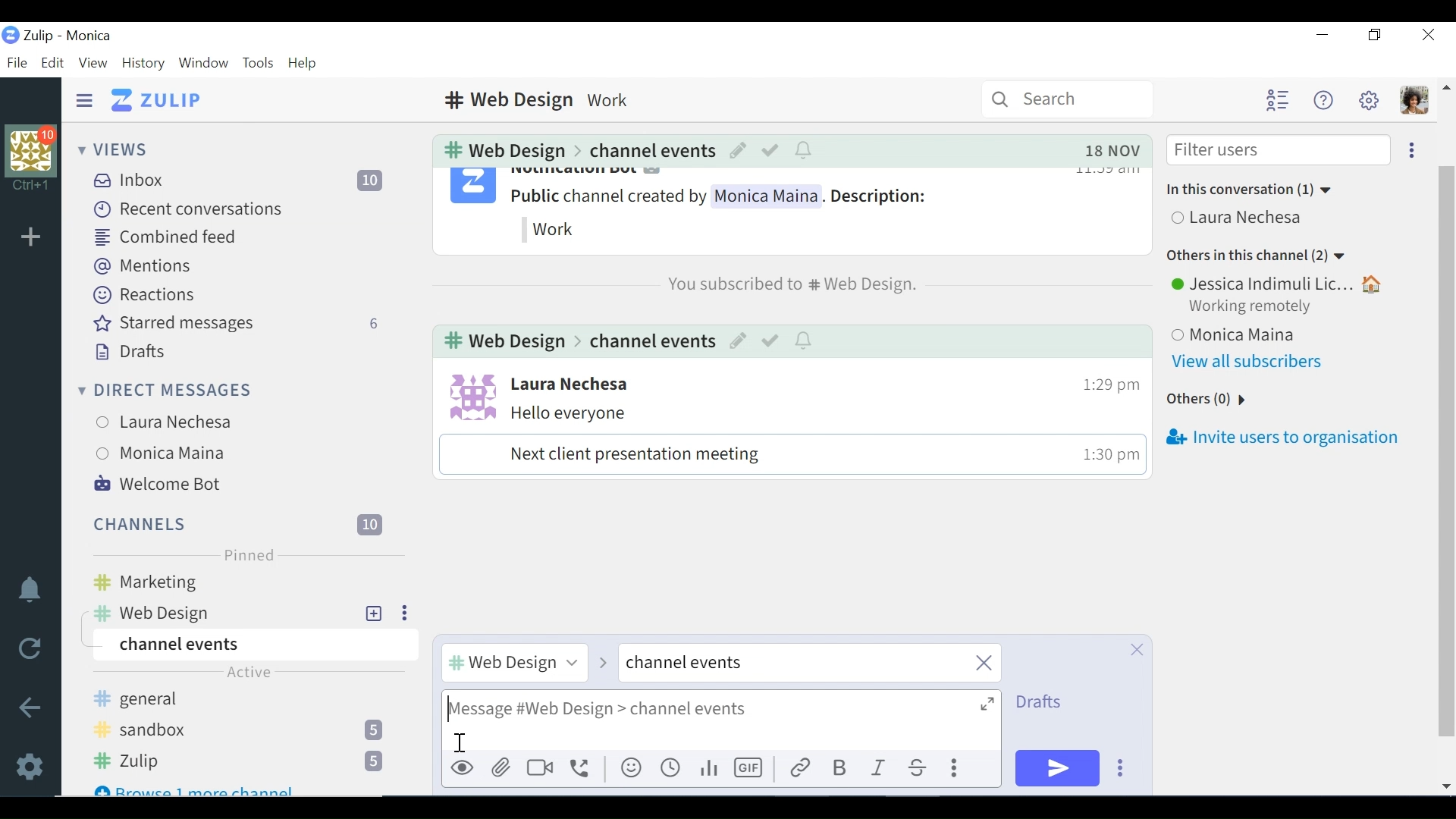 The height and width of the screenshot is (819, 1456). What do you see at coordinates (745, 209) in the screenshot?
I see `notification bot messages` at bounding box center [745, 209].